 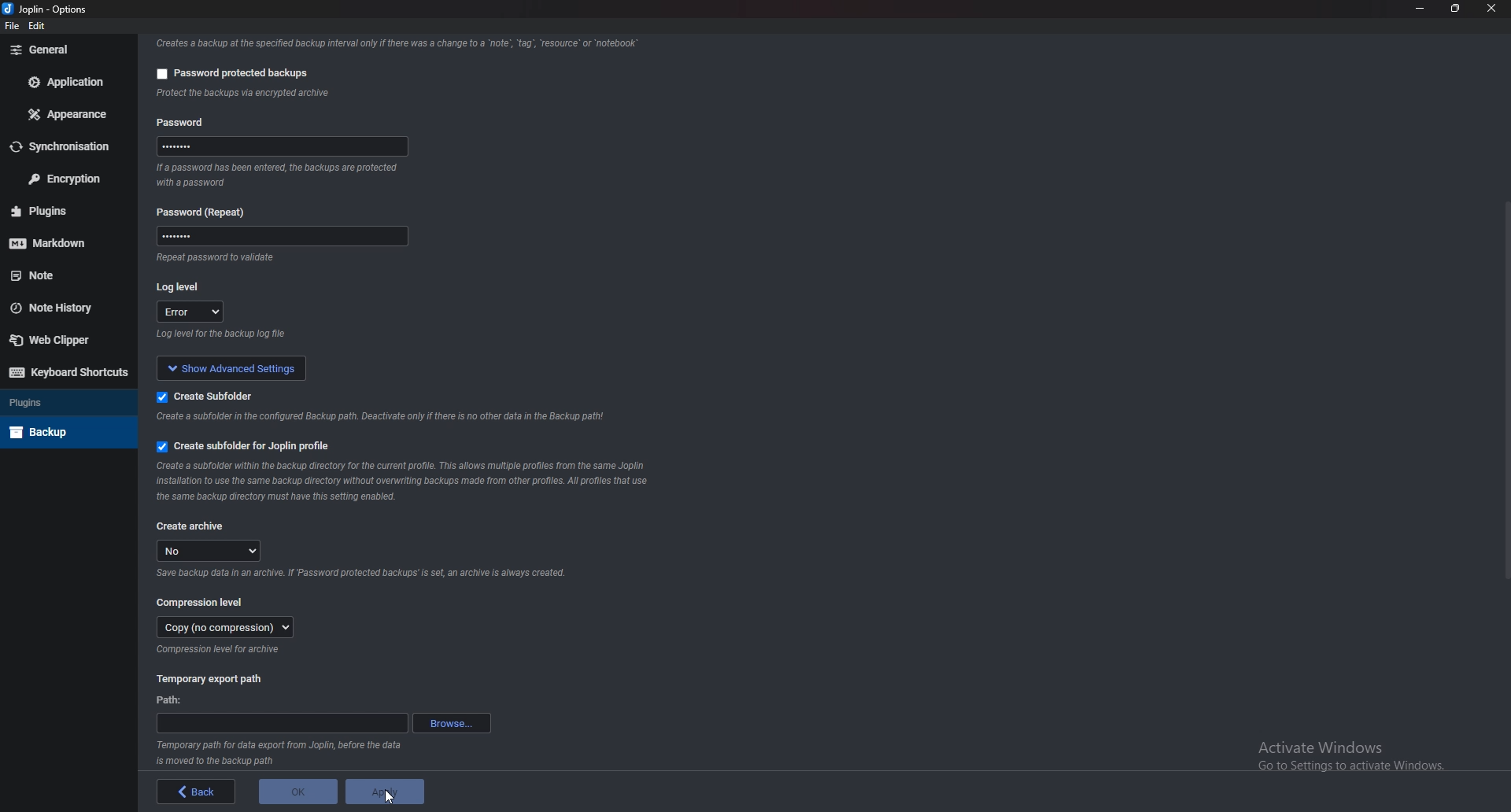 What do you see at coordinates (323, 94) in the screenshot?
I see `info` at bounding box center [323, 94].